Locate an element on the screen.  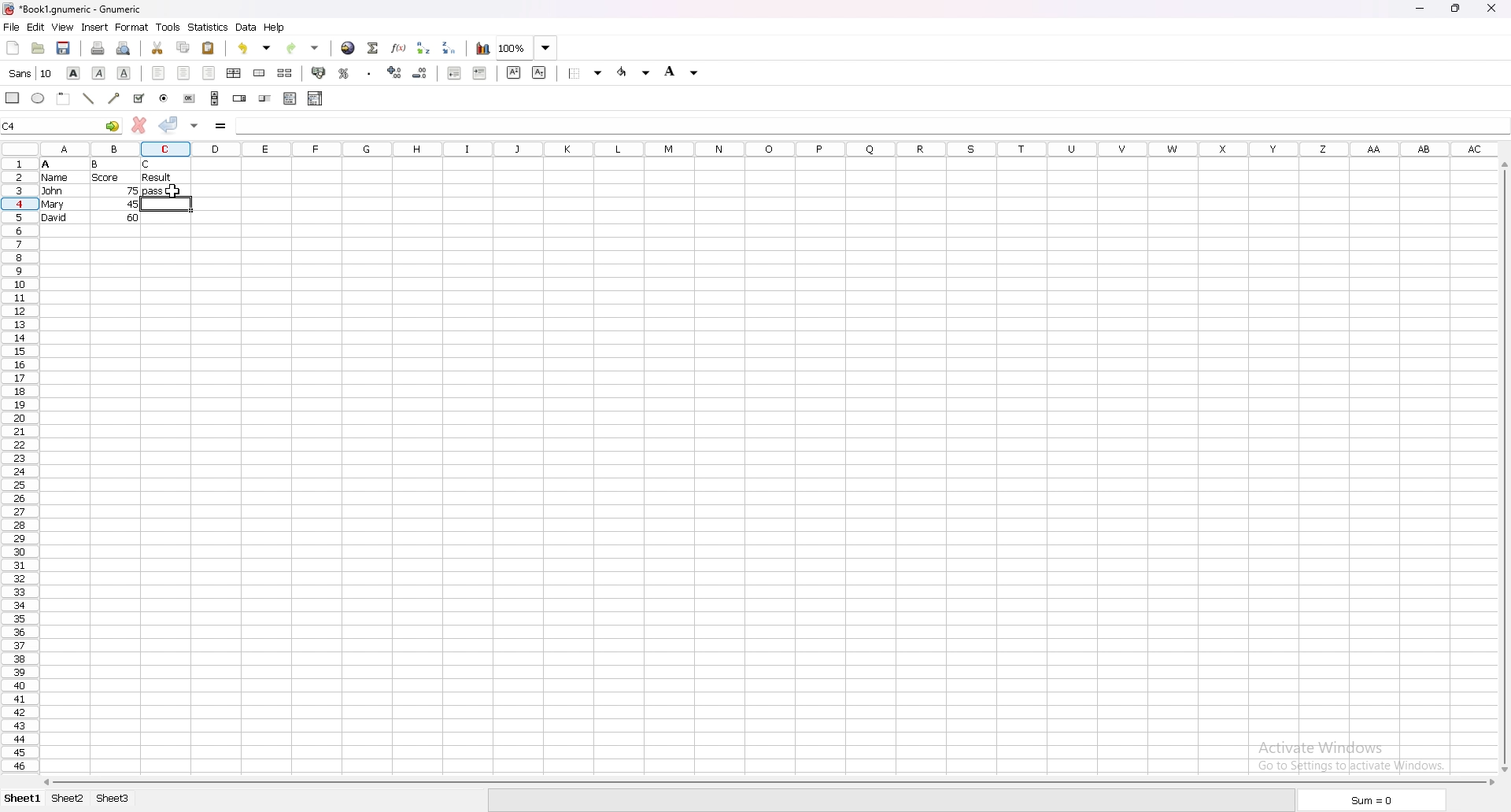
help is located at coordinates (275, 27).